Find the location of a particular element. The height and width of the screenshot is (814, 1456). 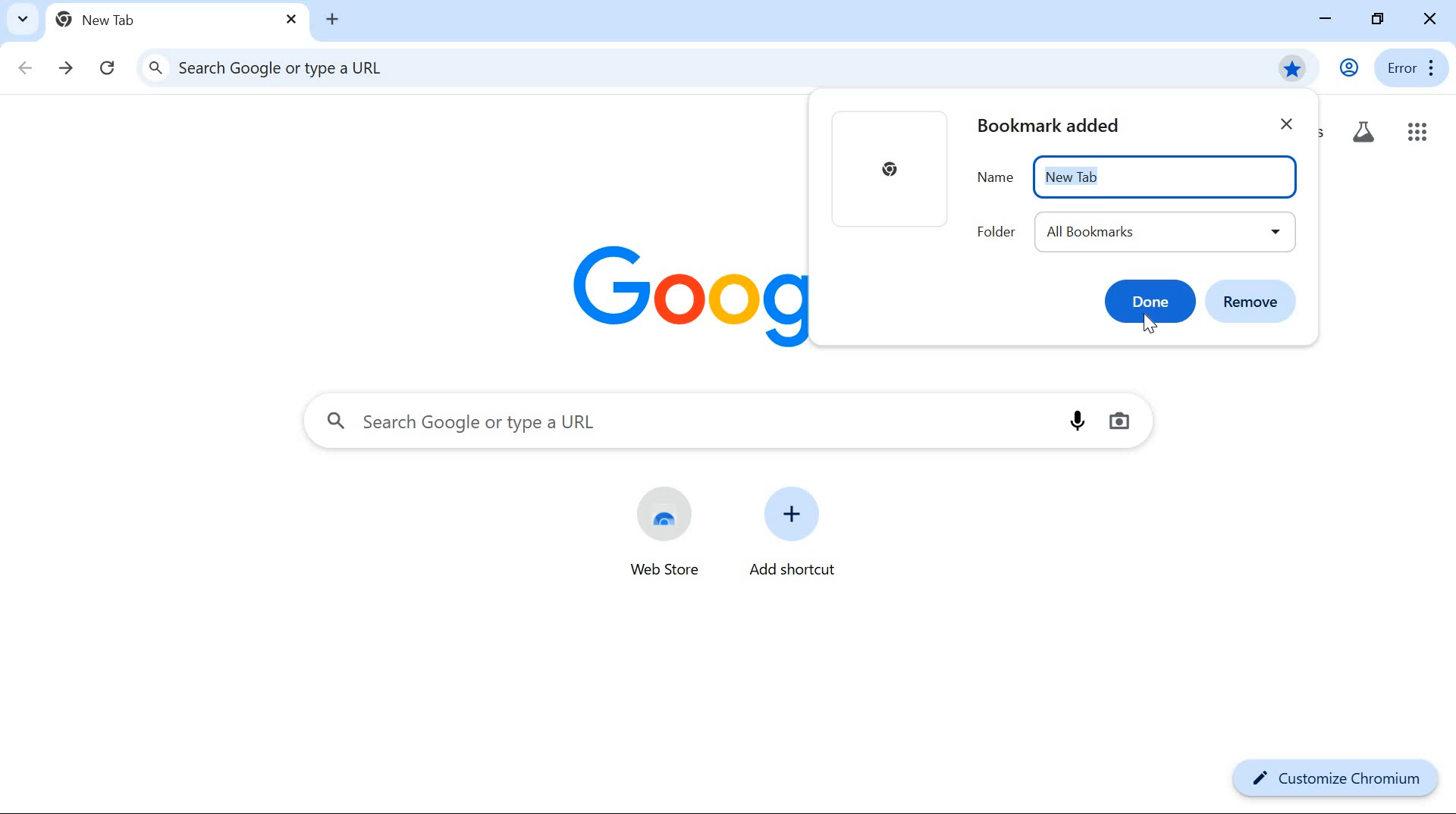

close window is located at coordinates (1430, 19).